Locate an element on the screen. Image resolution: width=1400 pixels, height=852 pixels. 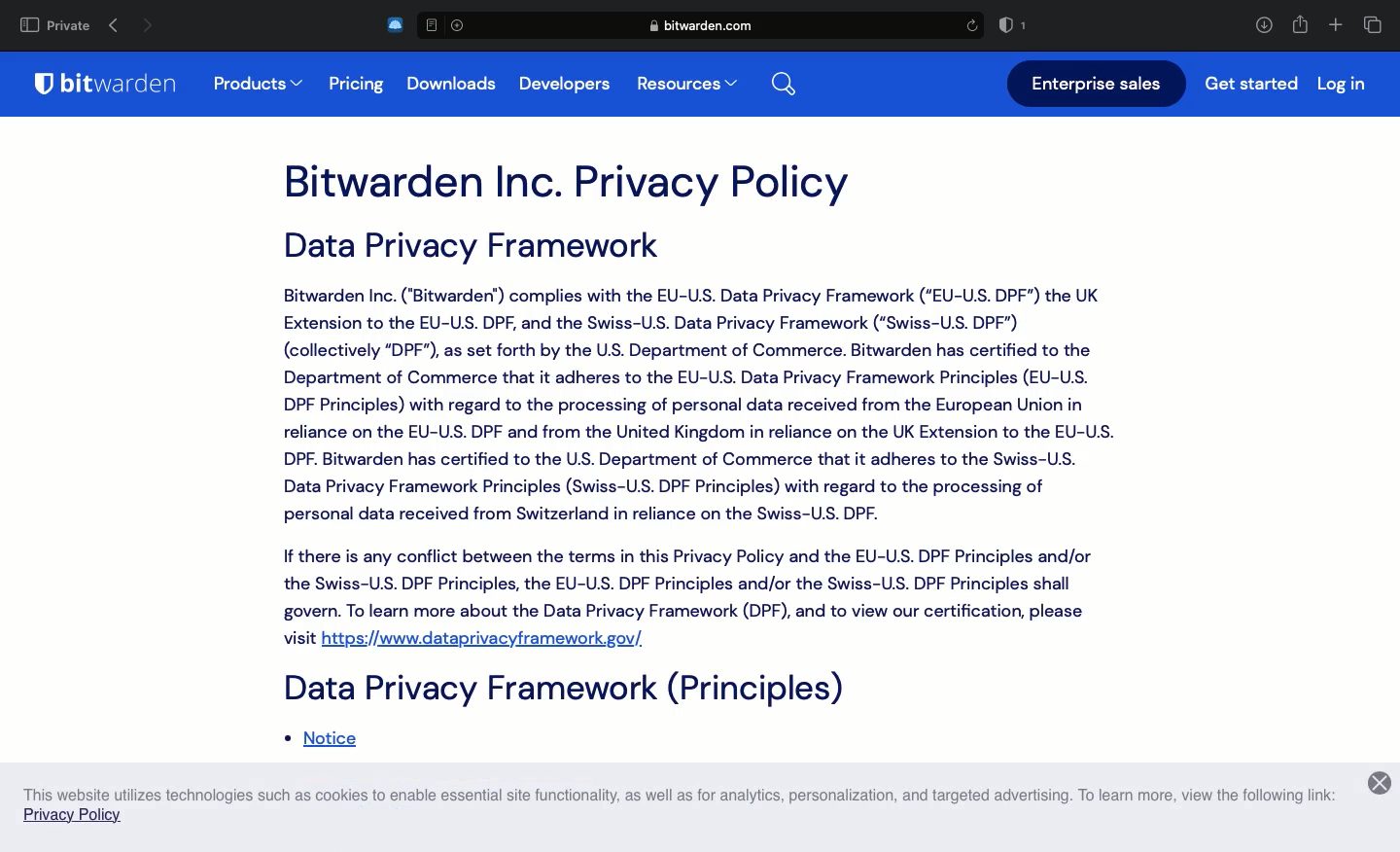
private is located at coordinates (53, 24).